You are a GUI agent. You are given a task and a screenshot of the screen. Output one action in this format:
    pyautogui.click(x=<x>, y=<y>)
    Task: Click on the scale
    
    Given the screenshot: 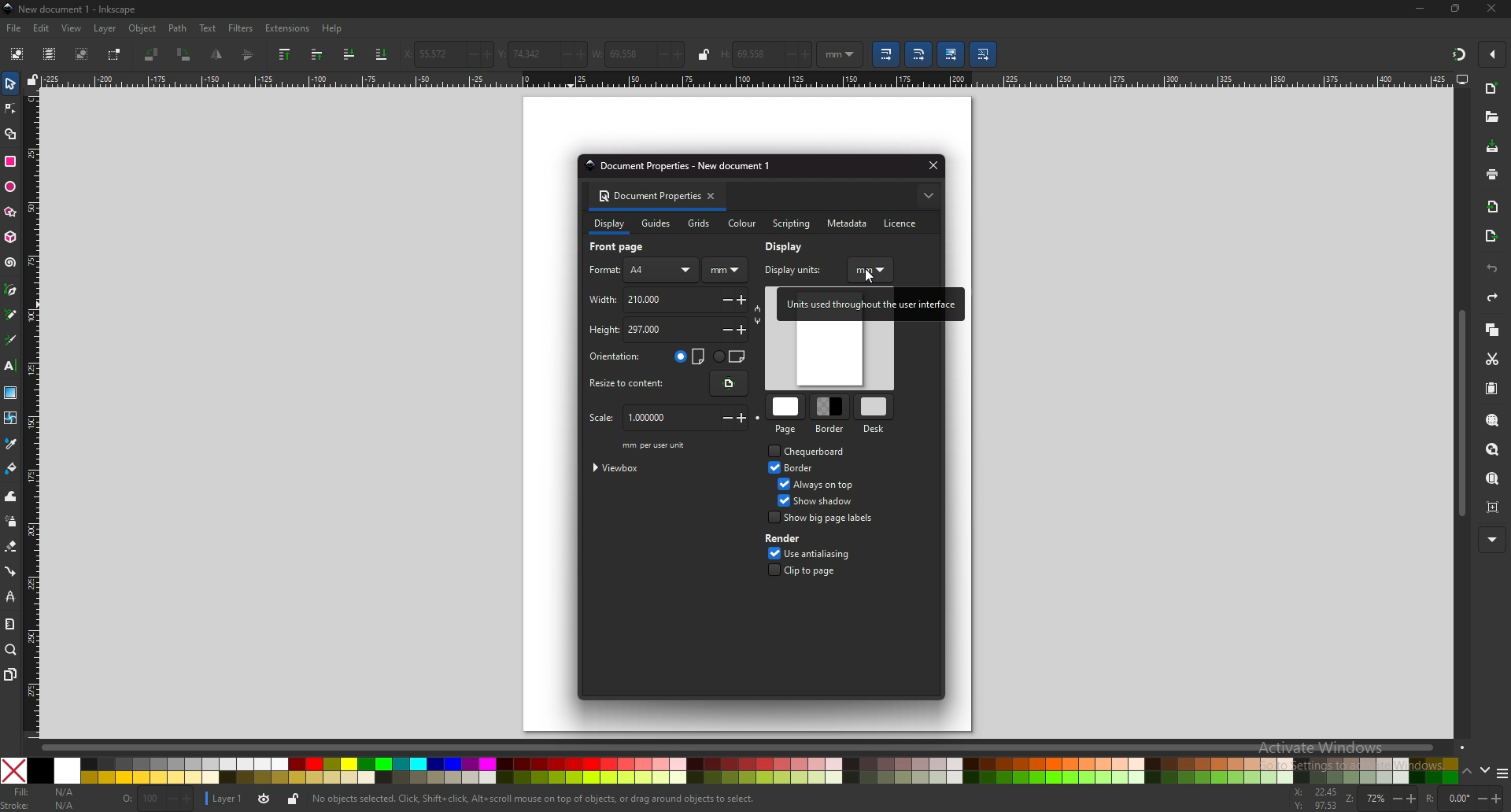 What is the action you would take?
    pyautogui.click(x=644, y=418)
    